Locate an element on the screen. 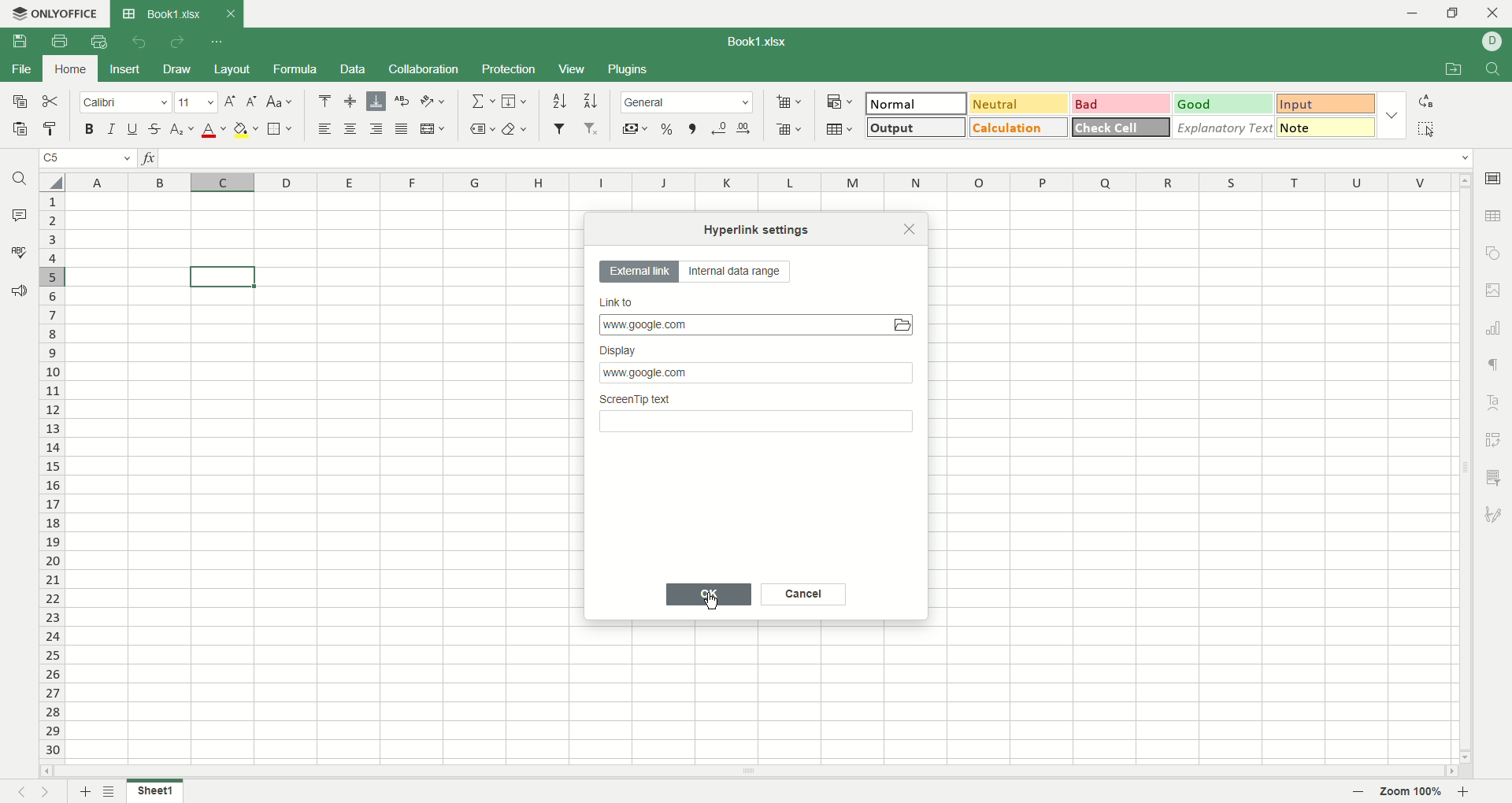  formula bar is located at coordinates (817, 158).